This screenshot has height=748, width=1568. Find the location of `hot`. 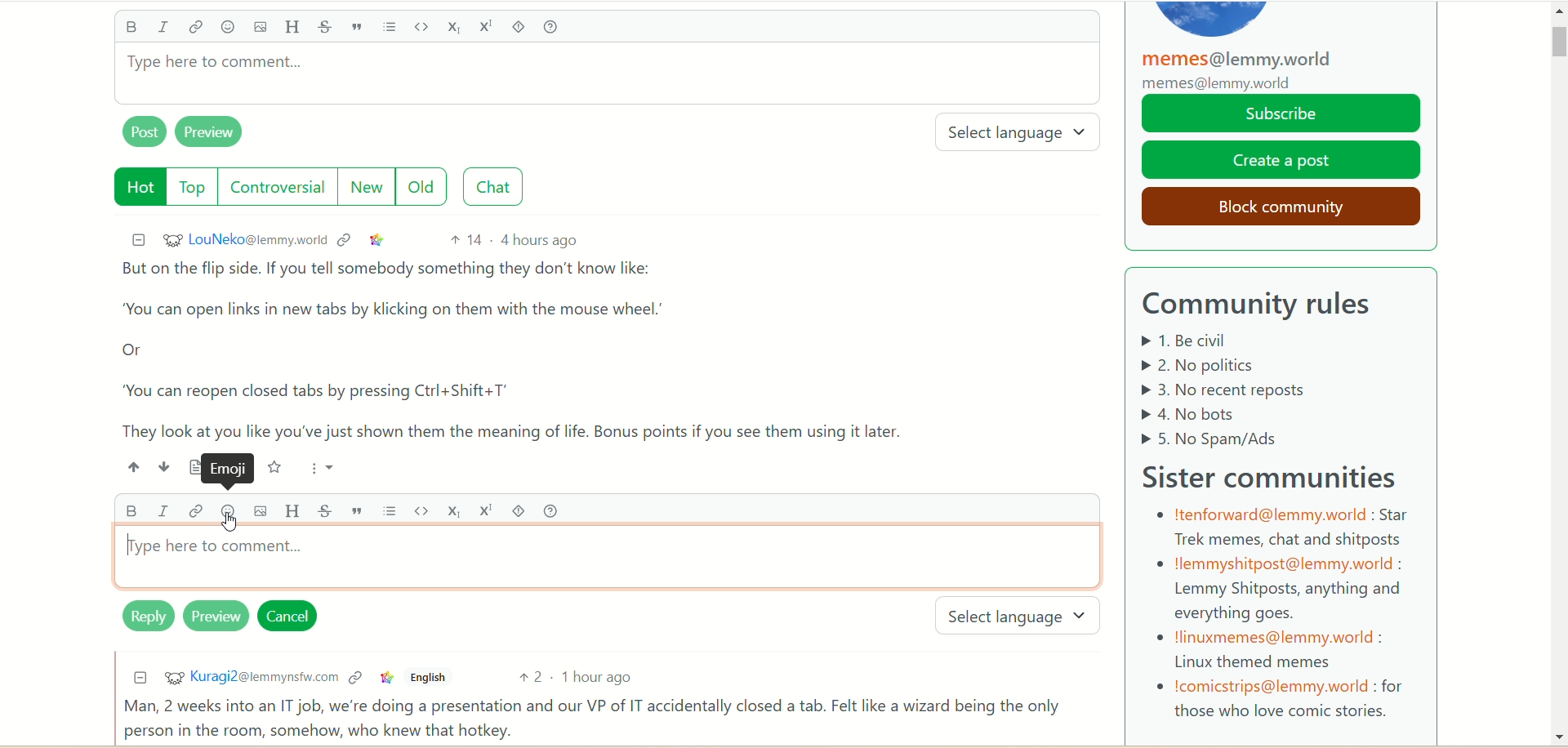

hot is located at coordinates (133, 186).